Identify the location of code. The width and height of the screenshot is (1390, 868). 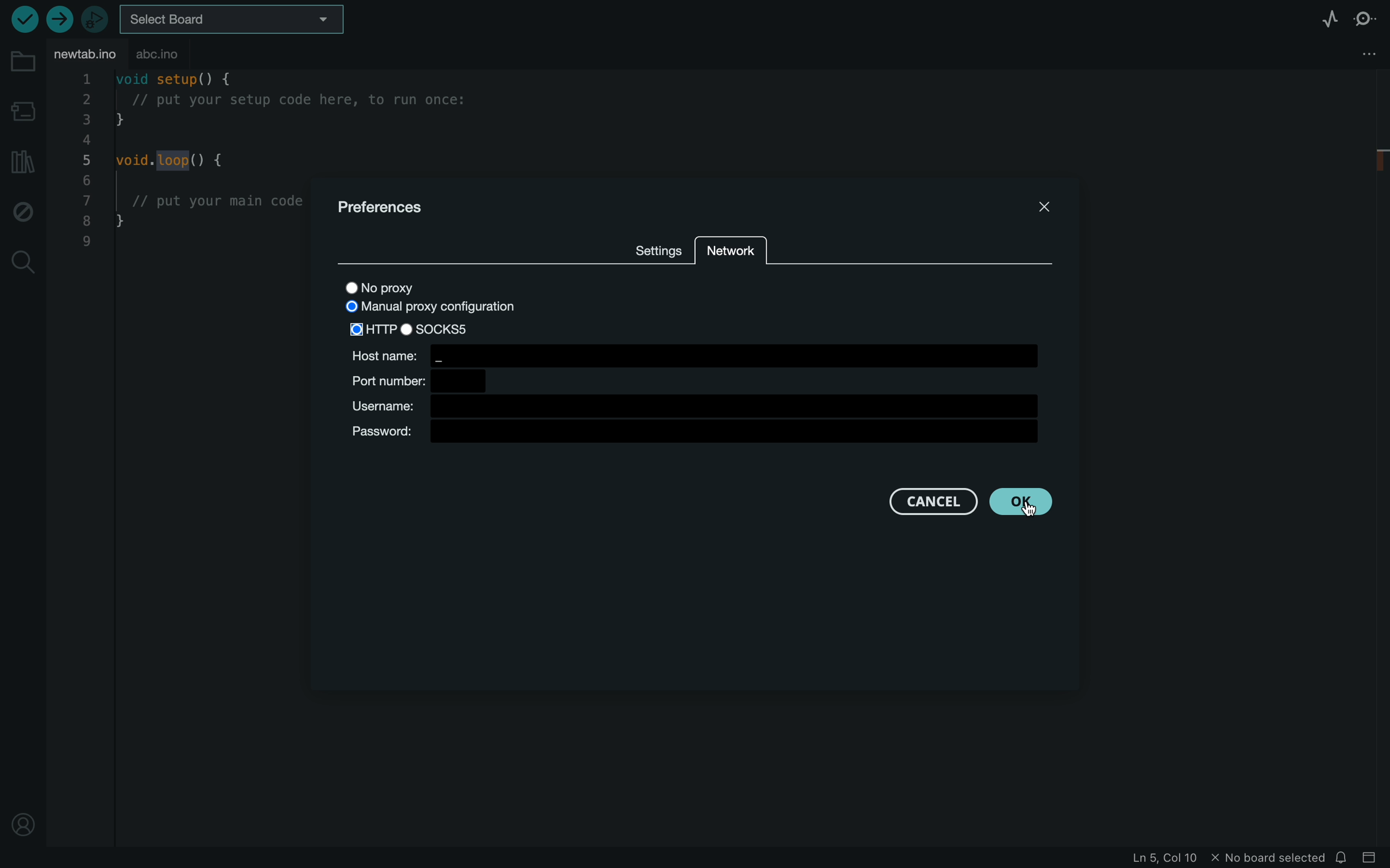
(182, 177).